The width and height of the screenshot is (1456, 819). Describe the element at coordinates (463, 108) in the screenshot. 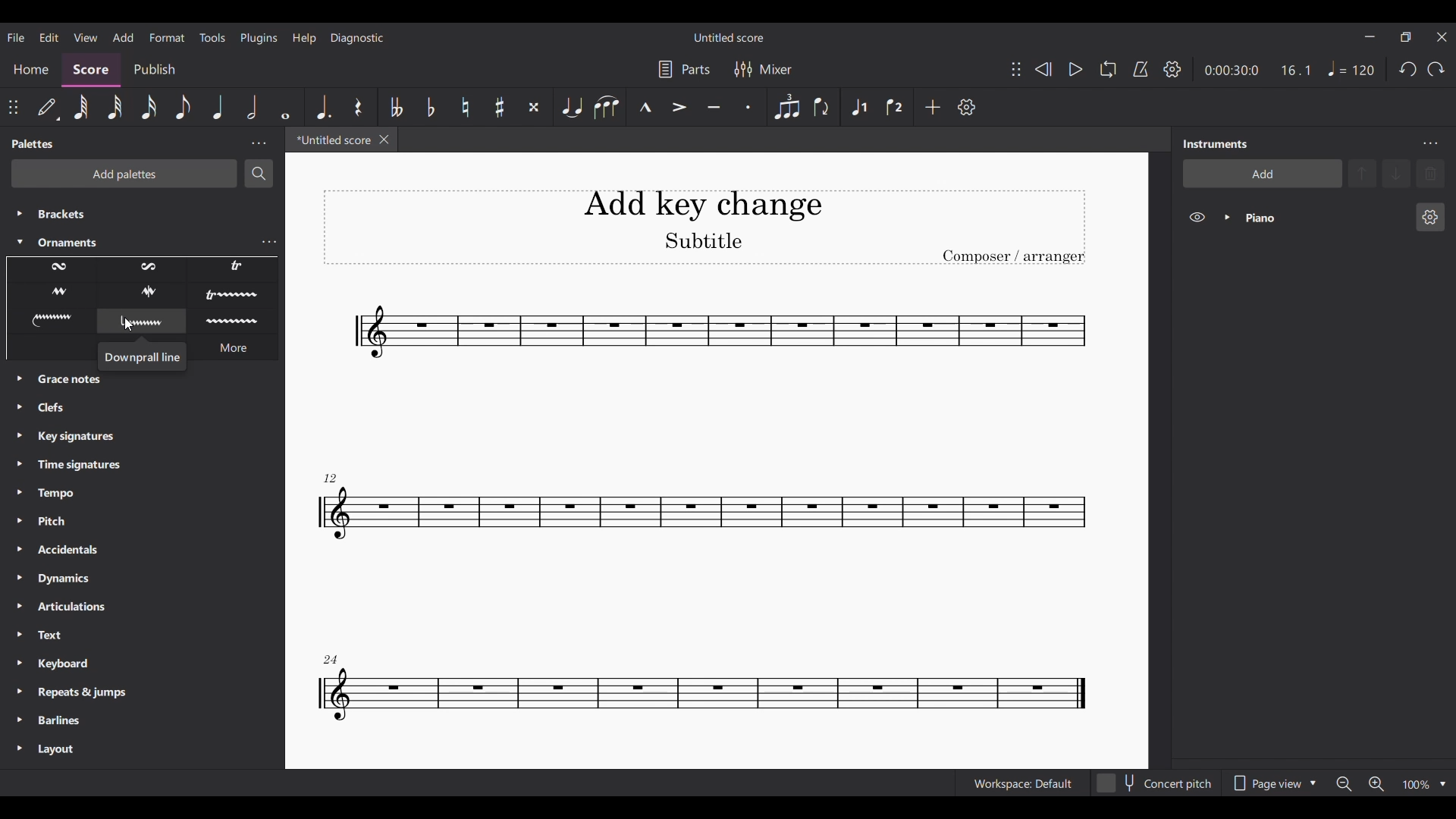

I see `Toggle natural` at that location.